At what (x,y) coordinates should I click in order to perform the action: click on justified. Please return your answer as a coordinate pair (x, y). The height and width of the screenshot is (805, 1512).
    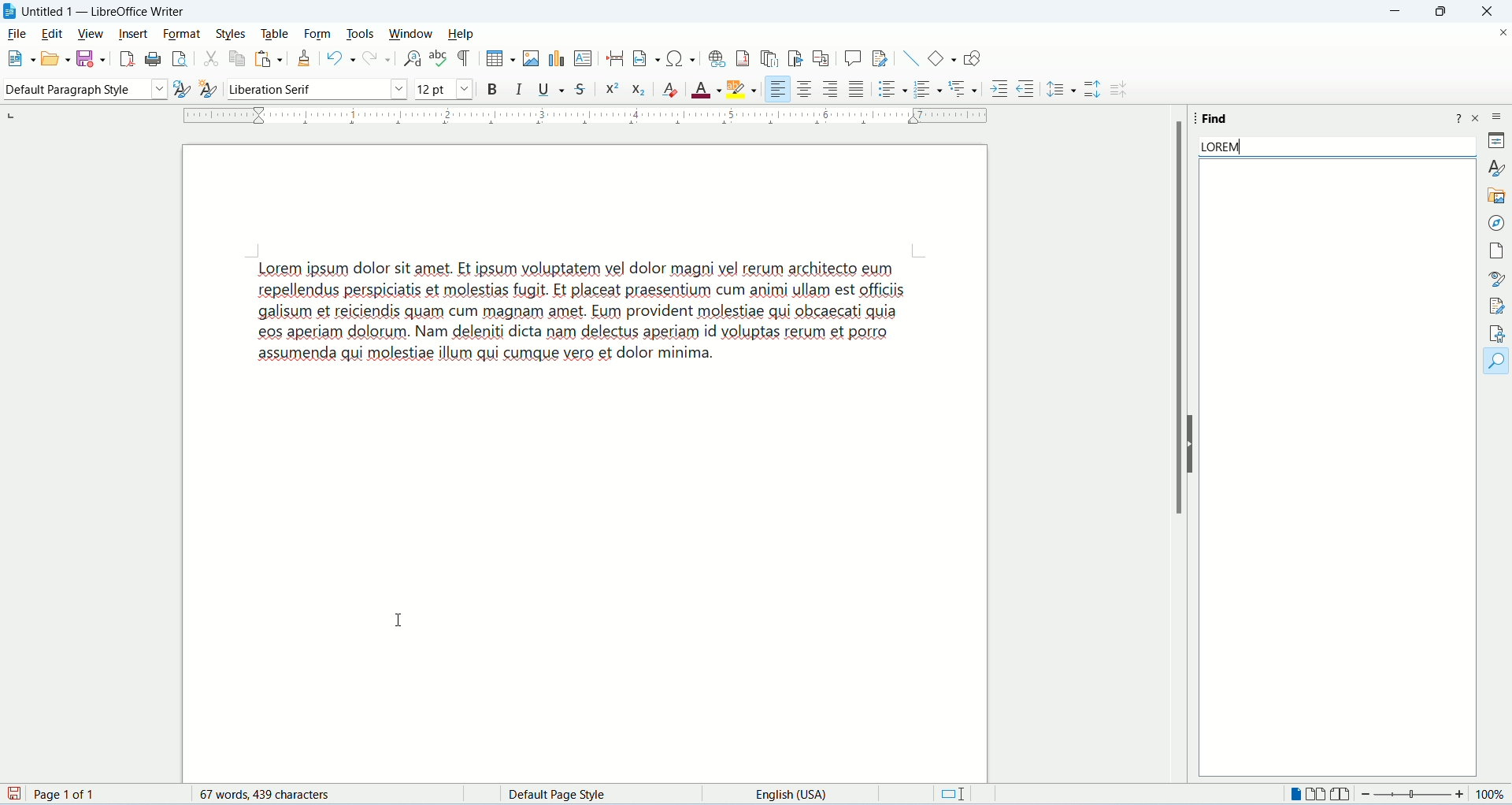
    Looking at the image, I should click on (854, 89).